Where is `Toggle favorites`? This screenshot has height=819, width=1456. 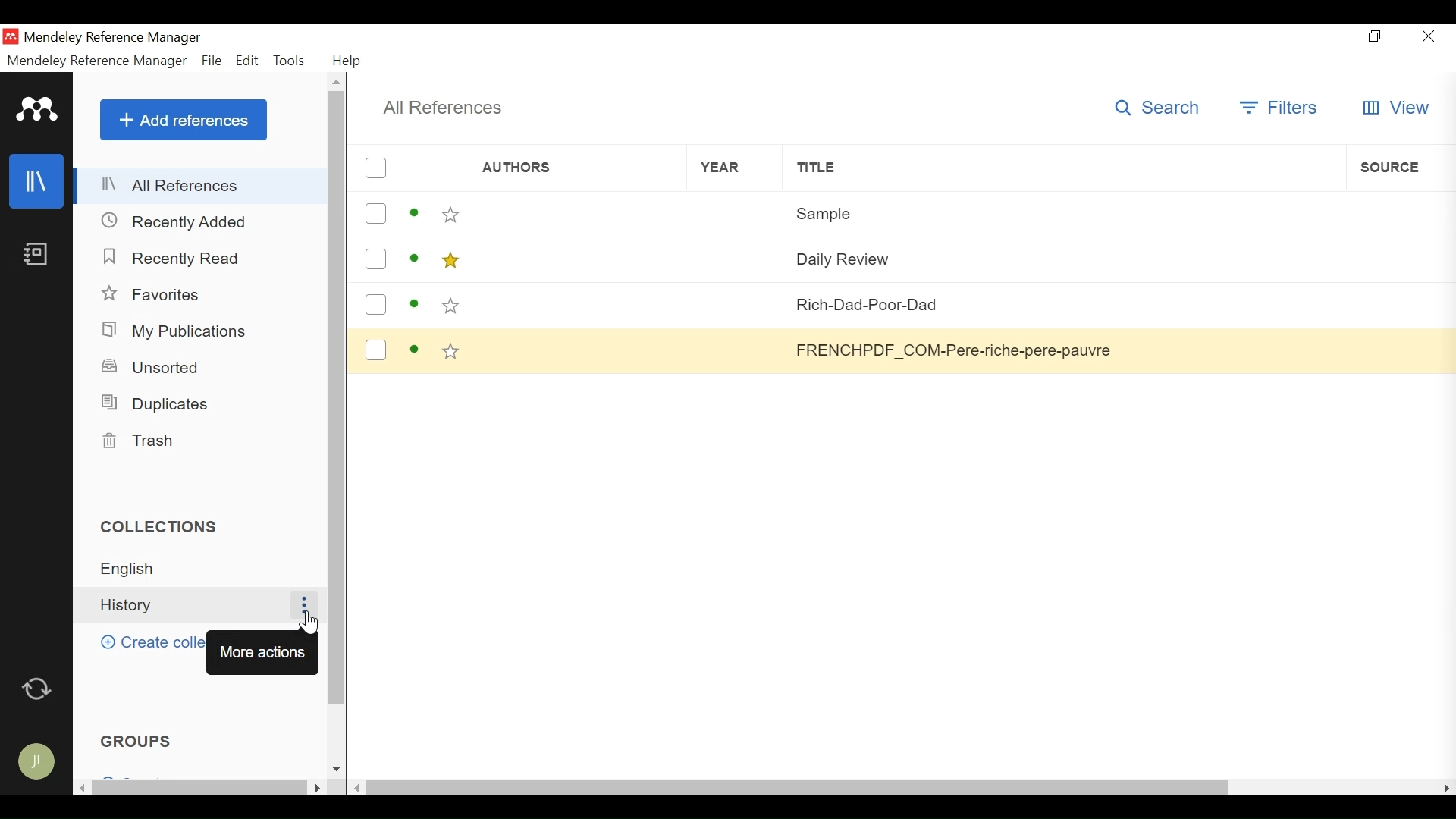
Toggle favorites is located at coordinates (452, 353).